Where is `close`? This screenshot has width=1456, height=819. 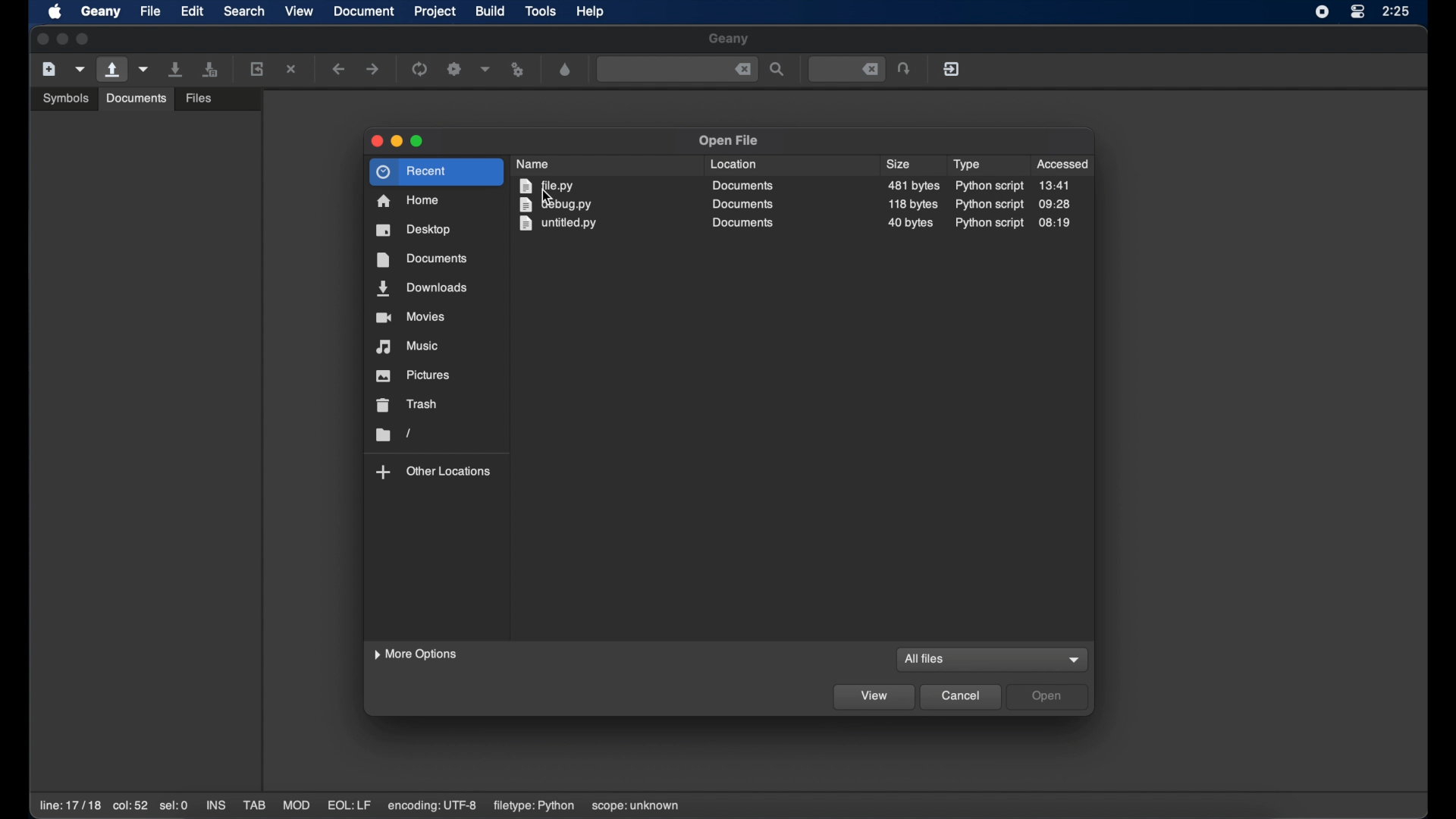
close is located at coordinates (40, 39).